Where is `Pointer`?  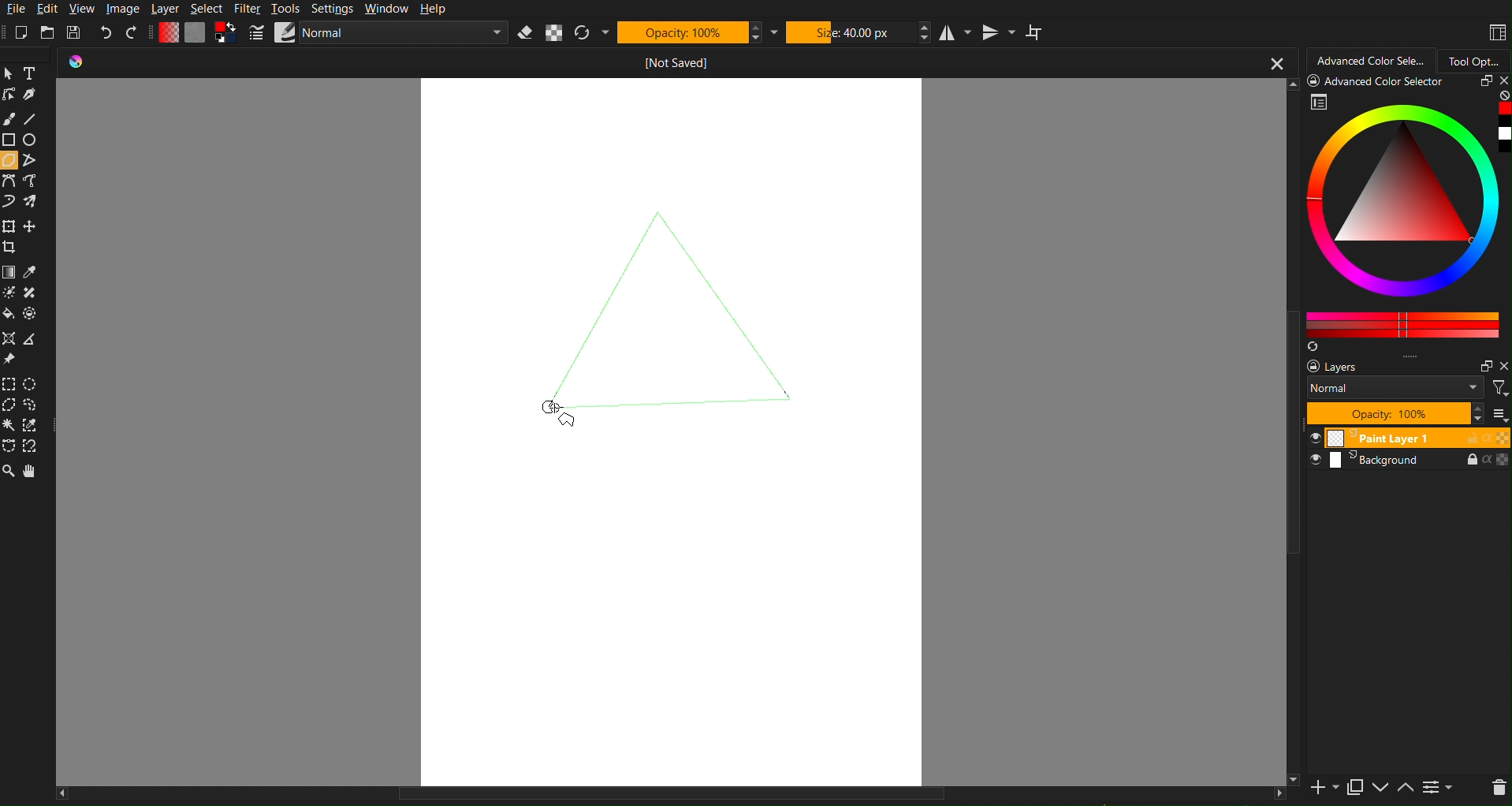
Pointer is located at coordinates (11, 74).